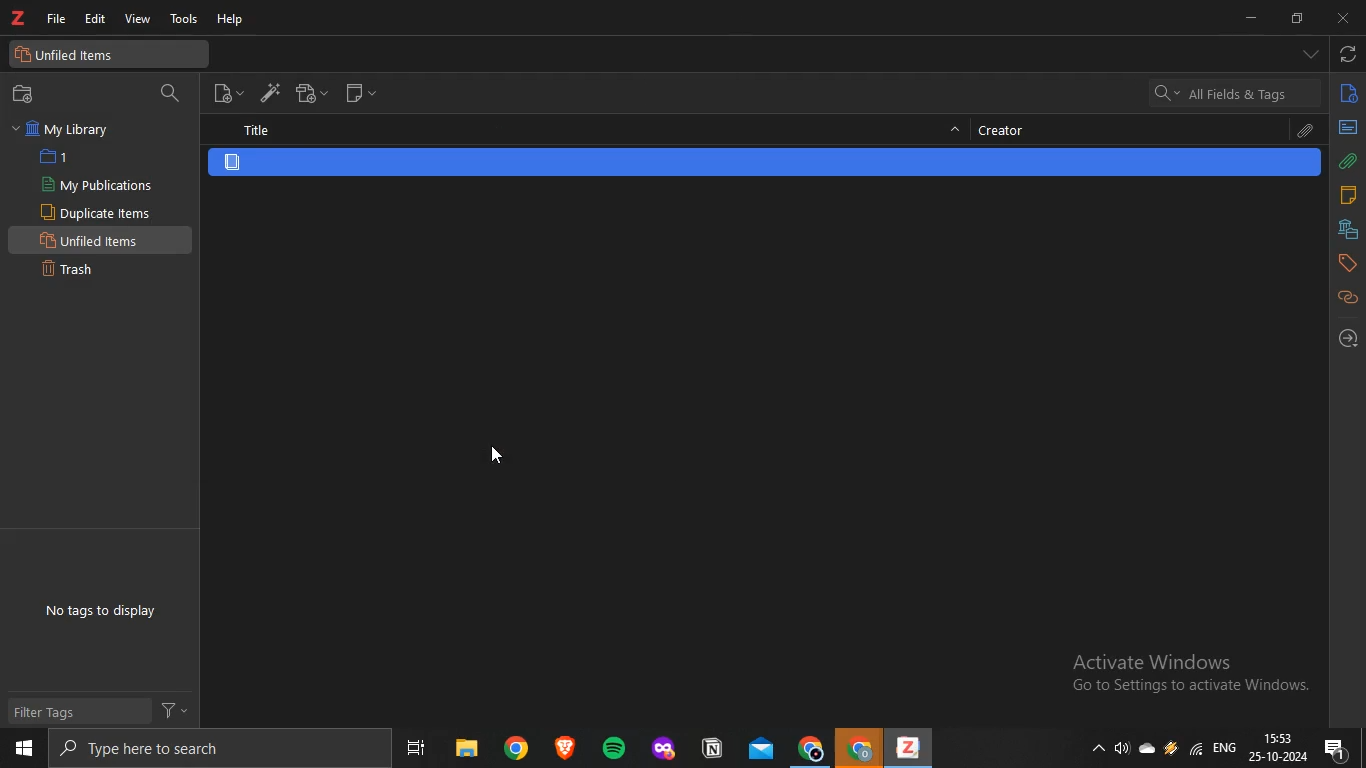  What do you see at coordinates (1279, 737) in the screenshot?
I see `time` at bounding box center [1279, 737].